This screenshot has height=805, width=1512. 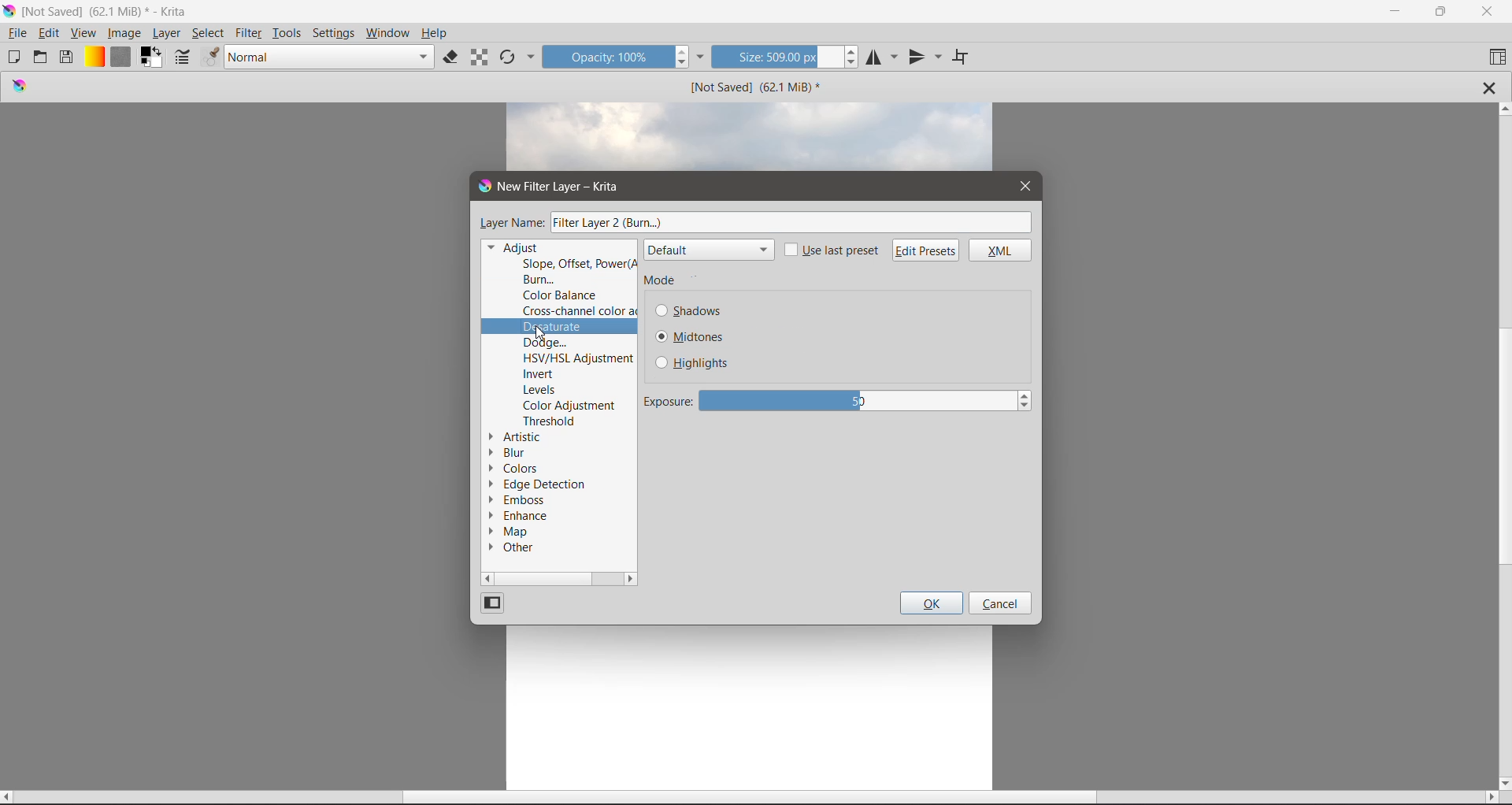 What do you see at coordinates (928, 250) in the screenshot?
I see `Edit Presets` at bounding box center [928, 250].